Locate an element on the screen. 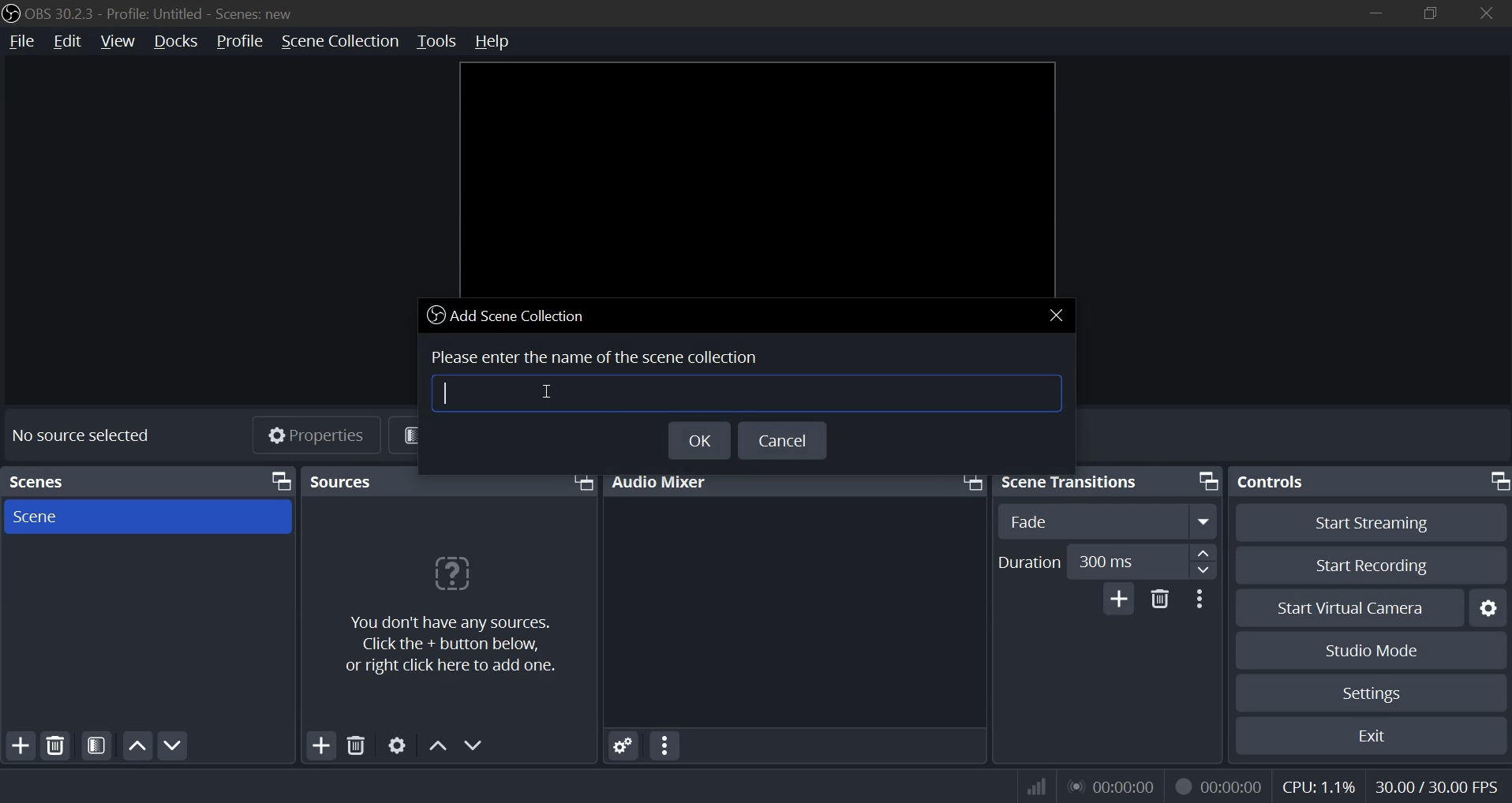  cpu usage is located at coordinates (1317, 788).